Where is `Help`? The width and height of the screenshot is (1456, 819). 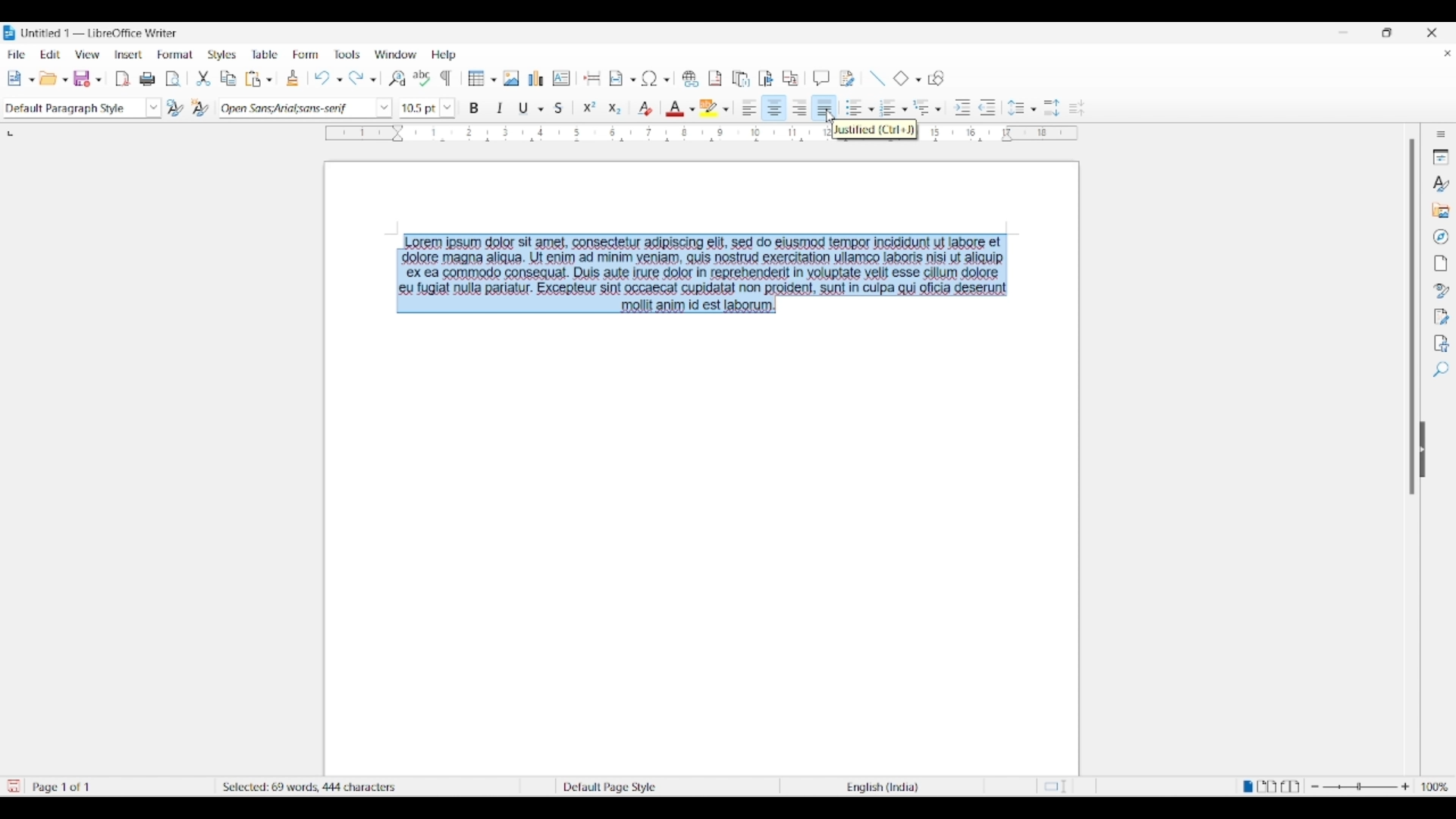 Help is located at coordinates (444, 55).